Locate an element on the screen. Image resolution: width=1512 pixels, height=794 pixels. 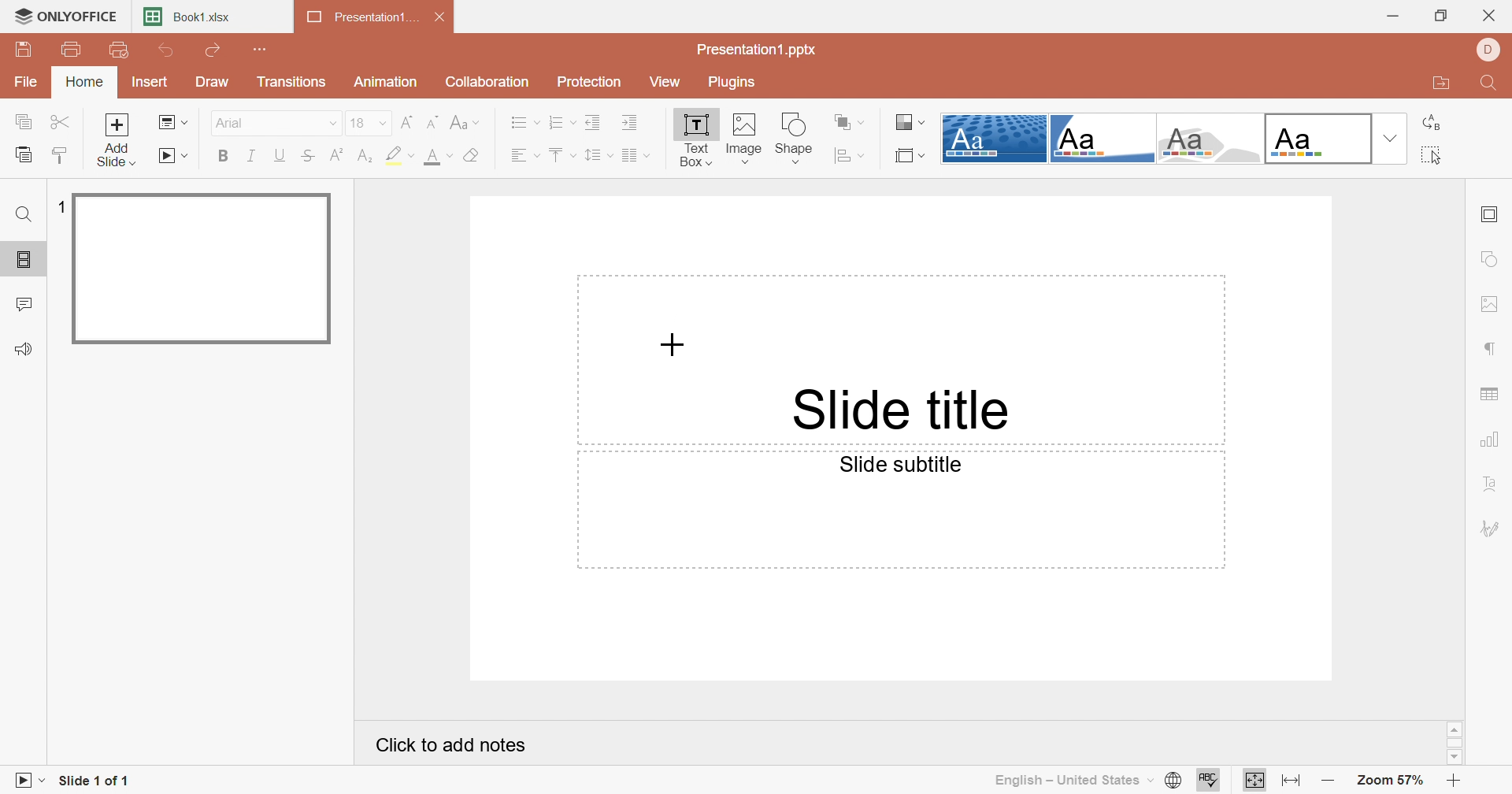
English - United States is located at coordinates (1073, 783).